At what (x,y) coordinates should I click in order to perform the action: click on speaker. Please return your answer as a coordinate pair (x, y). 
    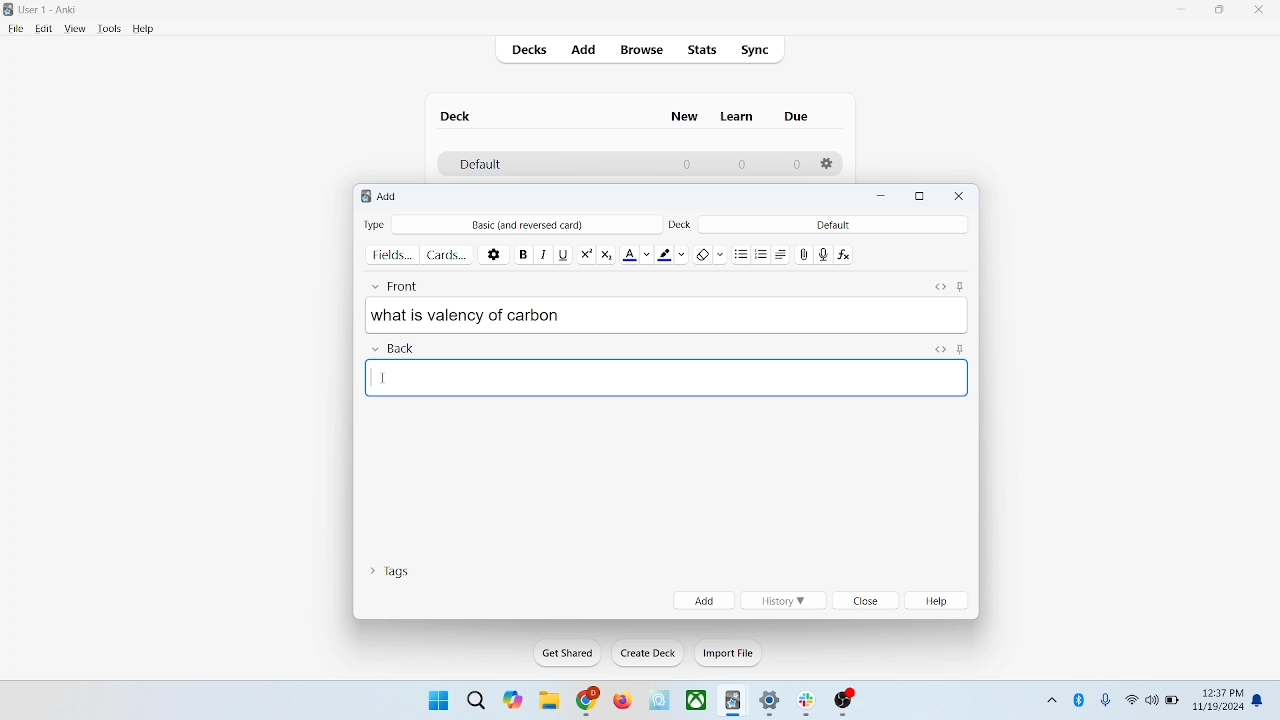
    Looking at the image, I should click on (1152, 699).